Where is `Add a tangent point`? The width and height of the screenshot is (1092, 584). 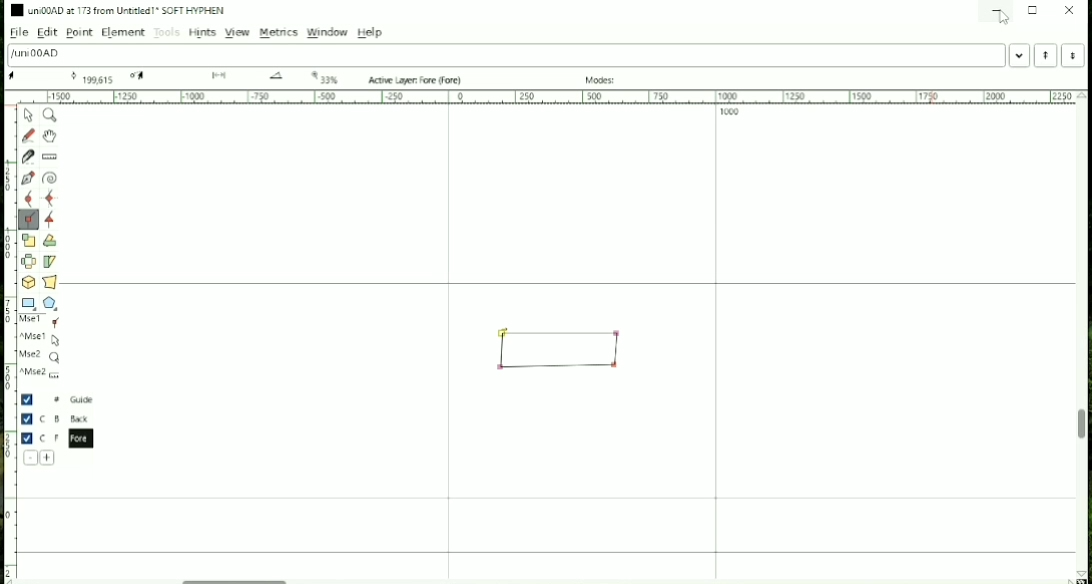 Add a tangent point is located at coordinates (50, 221).